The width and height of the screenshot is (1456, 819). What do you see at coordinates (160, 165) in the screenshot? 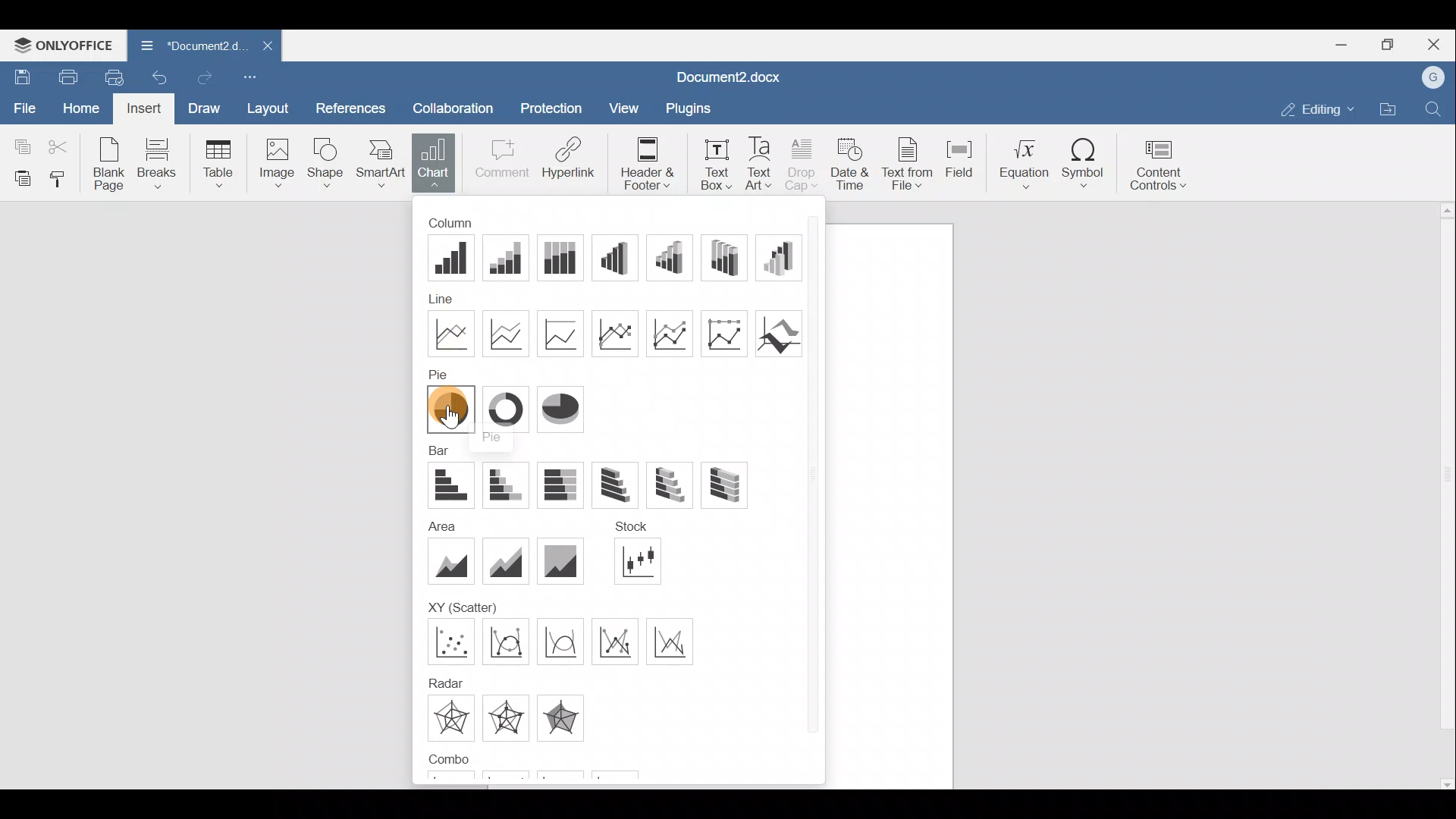
I see `Breaks` at bounding box center [160, 165].